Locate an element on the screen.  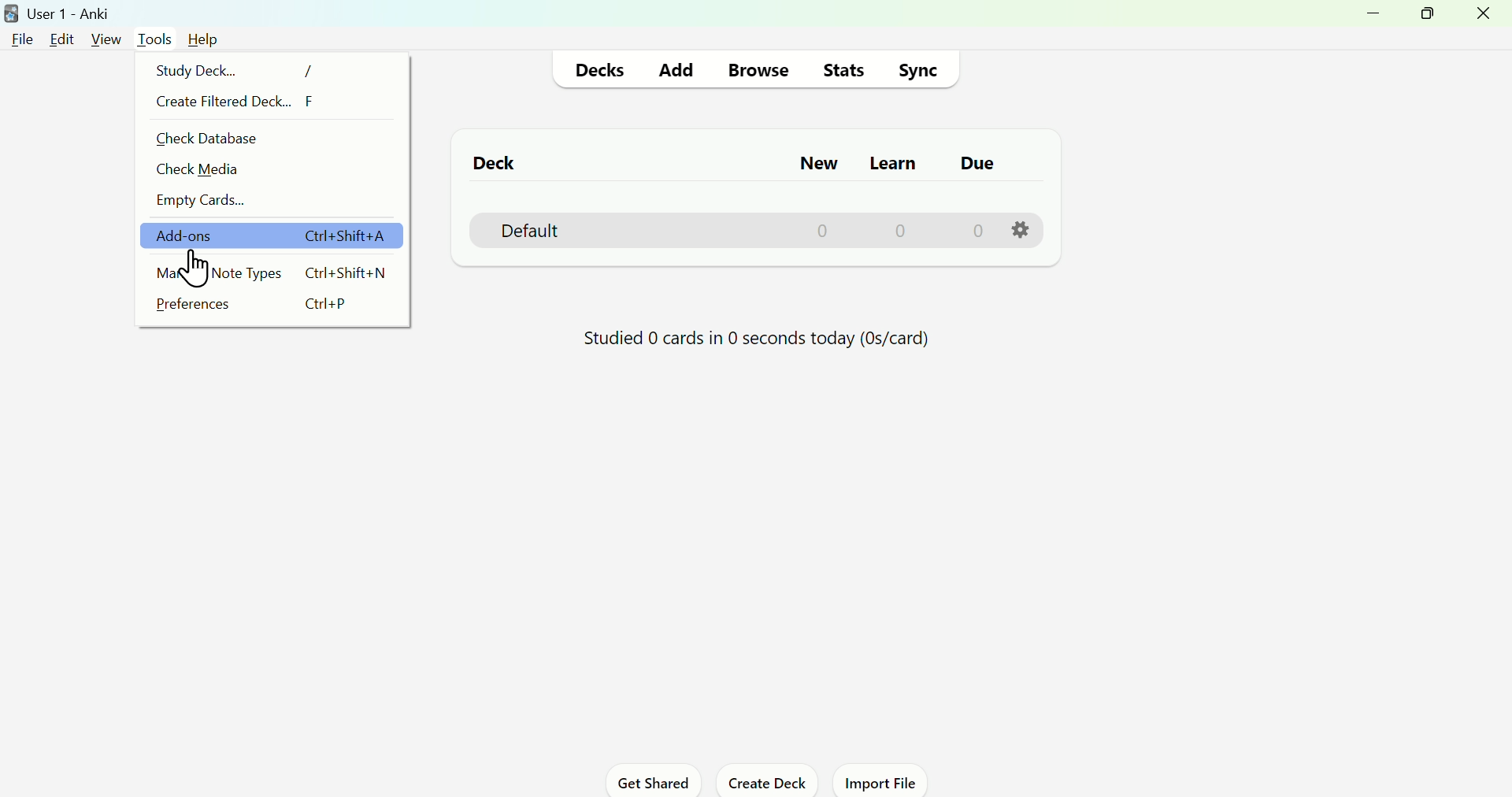
Tools is located at coordinates (154, 39).